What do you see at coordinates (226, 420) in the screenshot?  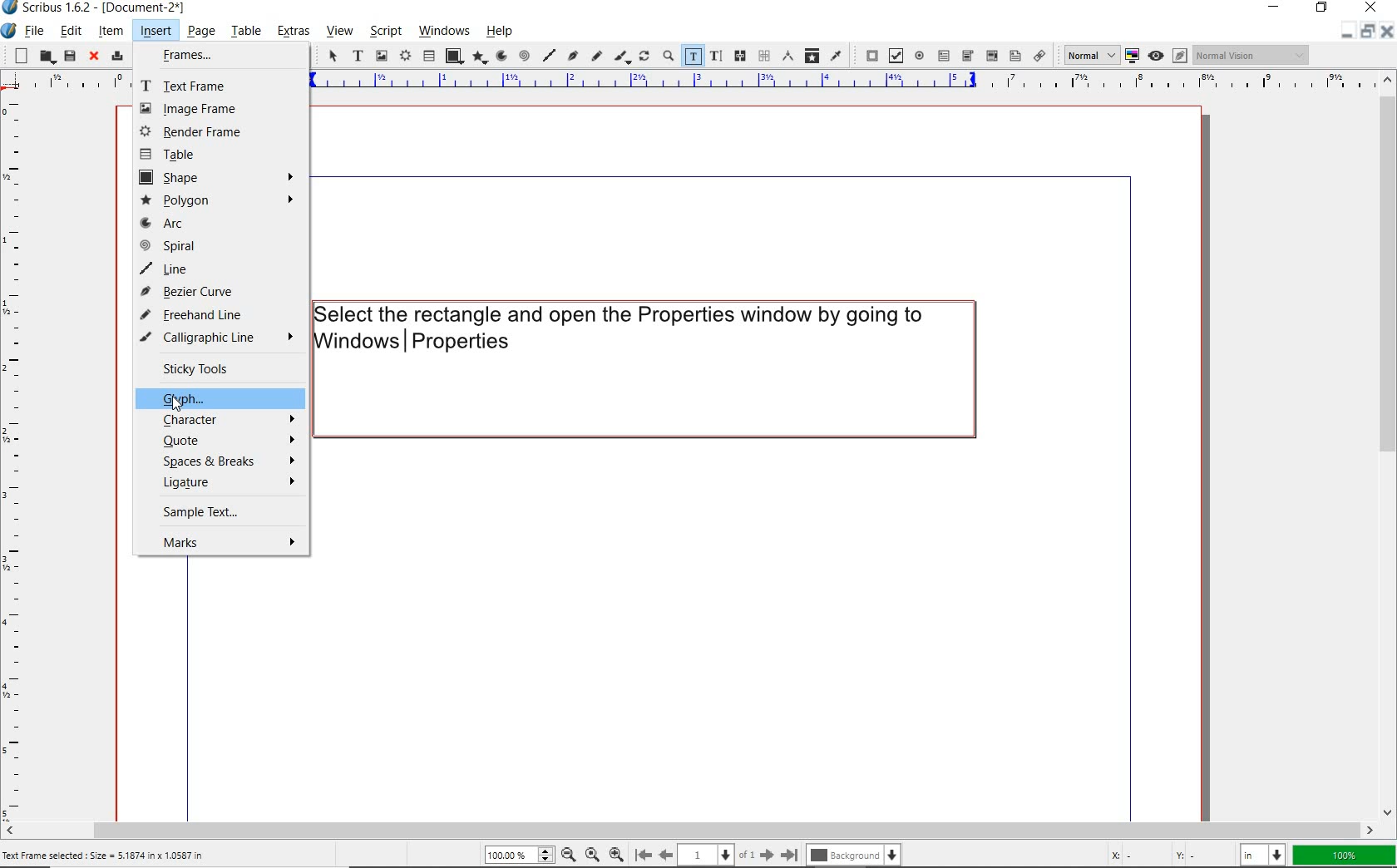 I see `character` at bounding box center [226, 420].